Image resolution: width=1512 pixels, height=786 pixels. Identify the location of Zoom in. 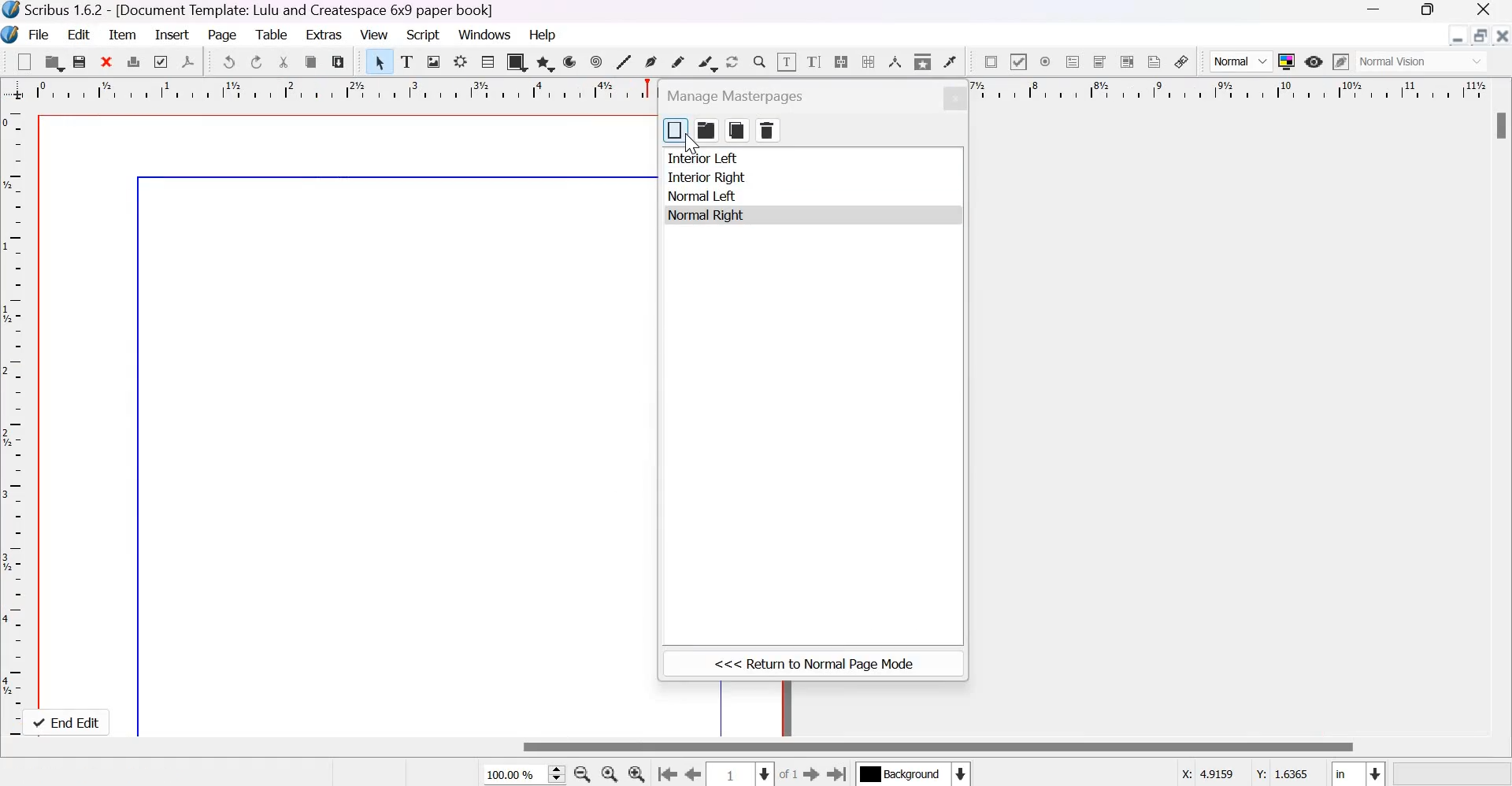
(636, 773).